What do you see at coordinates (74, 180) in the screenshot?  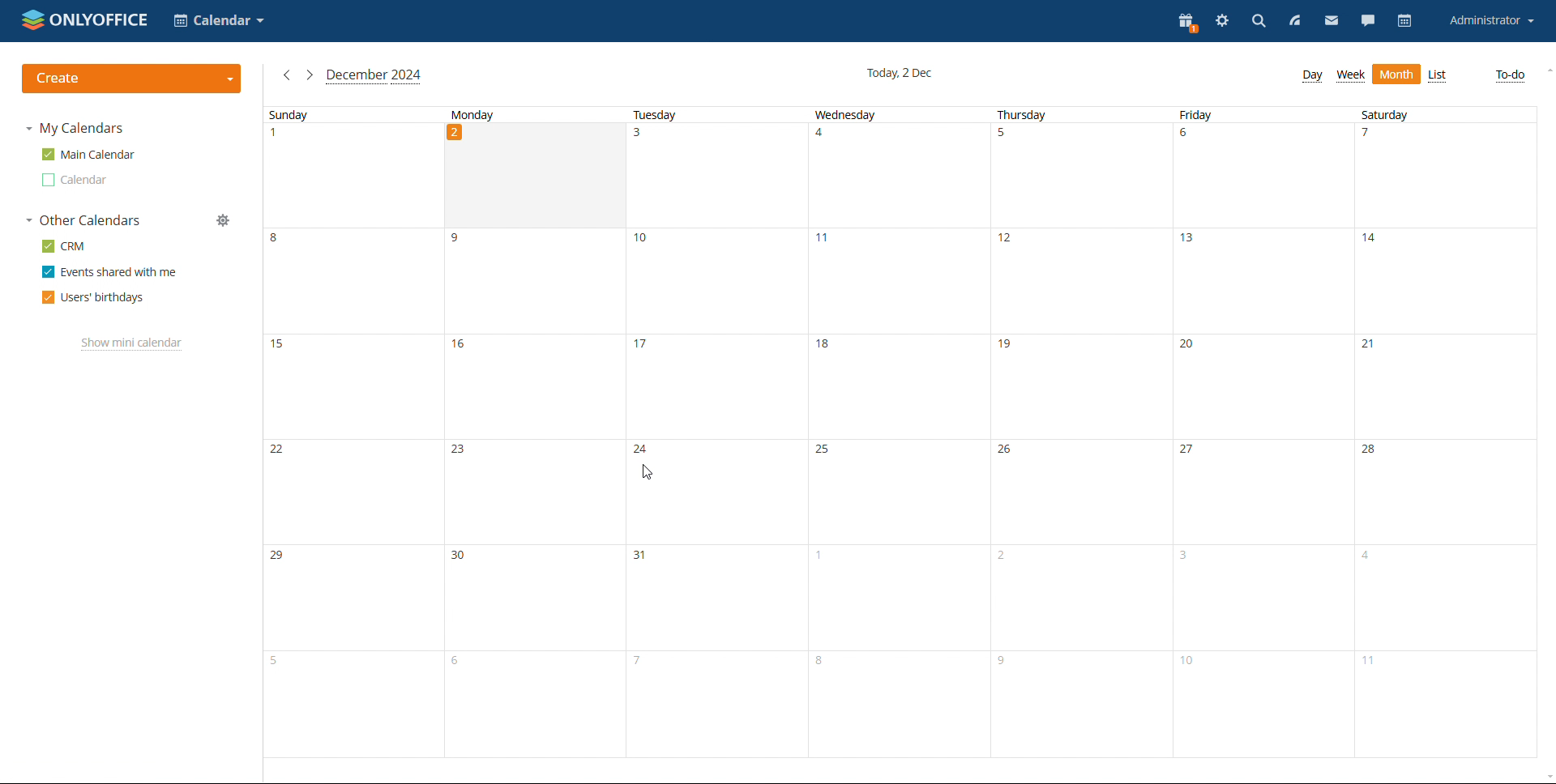 I see `Calendar` at bounding box center [74, 180].